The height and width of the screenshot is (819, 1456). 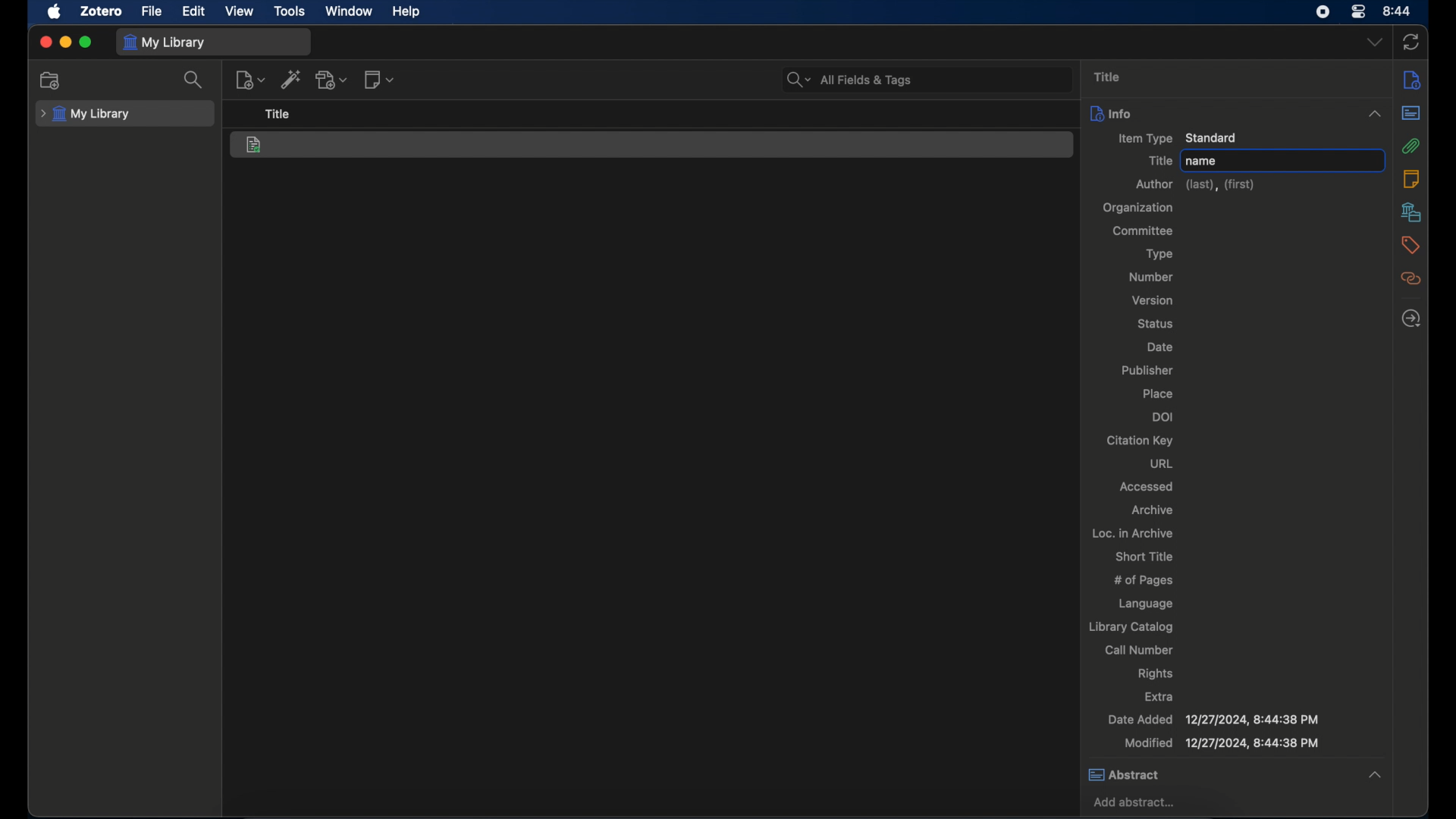 What do you see at coordinates (1137, 803) in the screenshot?
I see `add abstract` at bounding box center [1137, 803].